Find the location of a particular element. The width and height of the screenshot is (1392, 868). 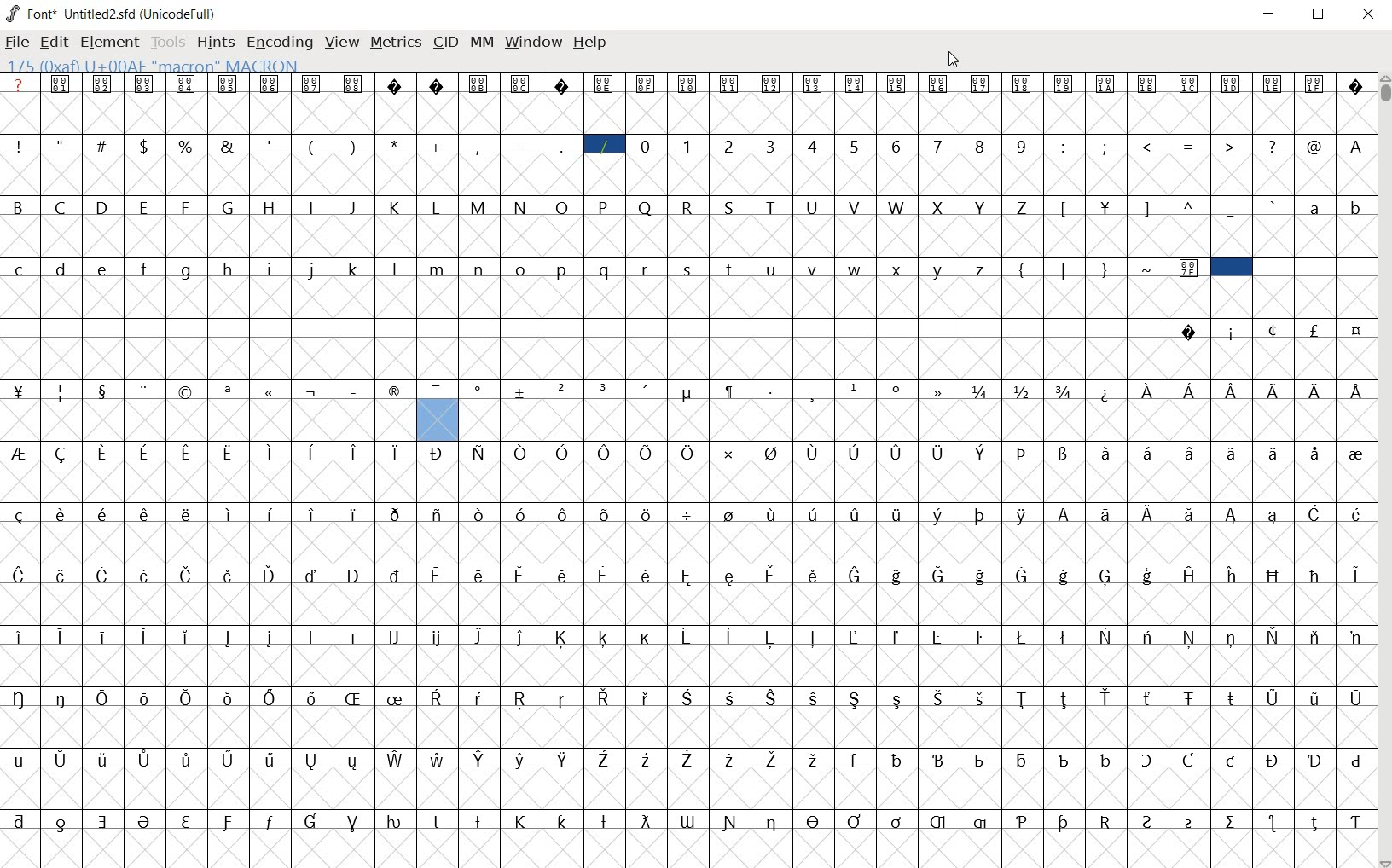

B is located at coordinates (20, 205).